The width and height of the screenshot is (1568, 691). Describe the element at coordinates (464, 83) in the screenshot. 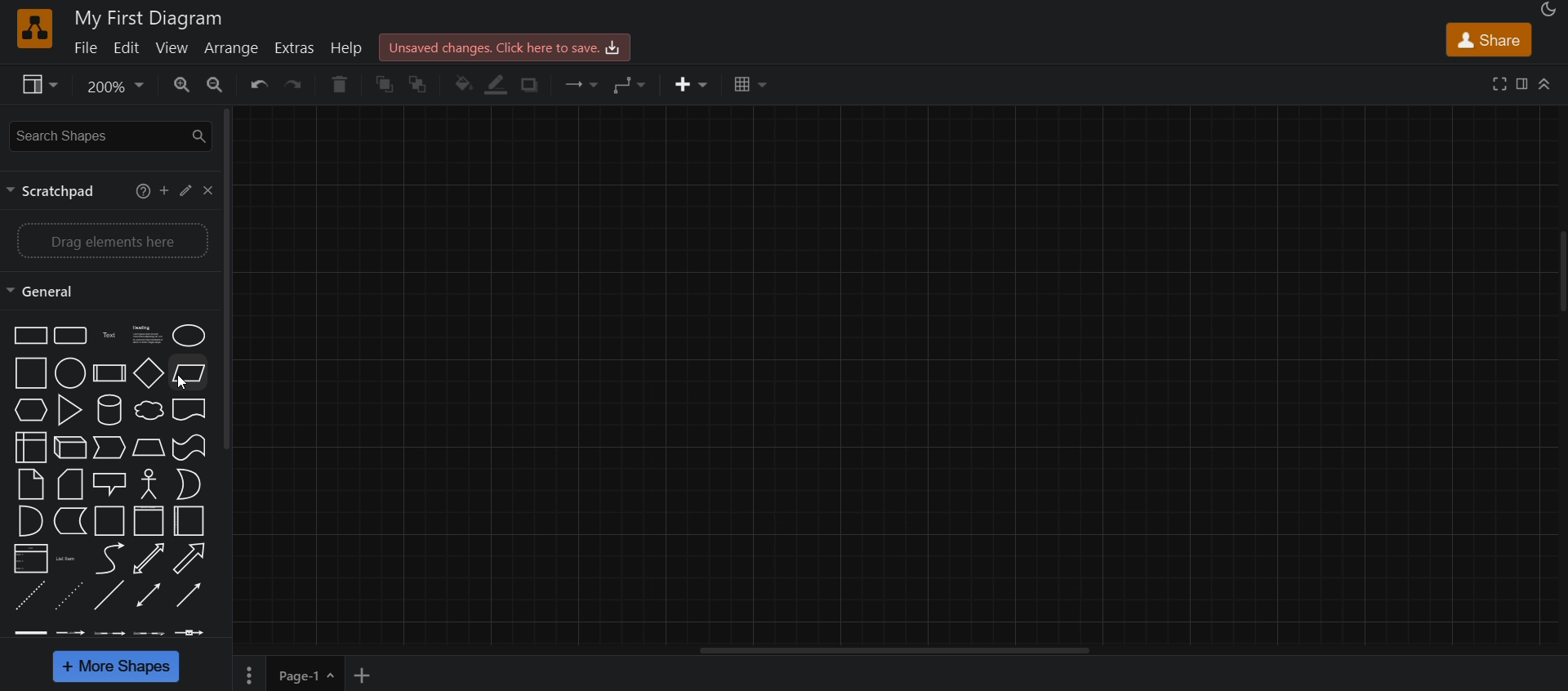

I see `fill color` at that location.